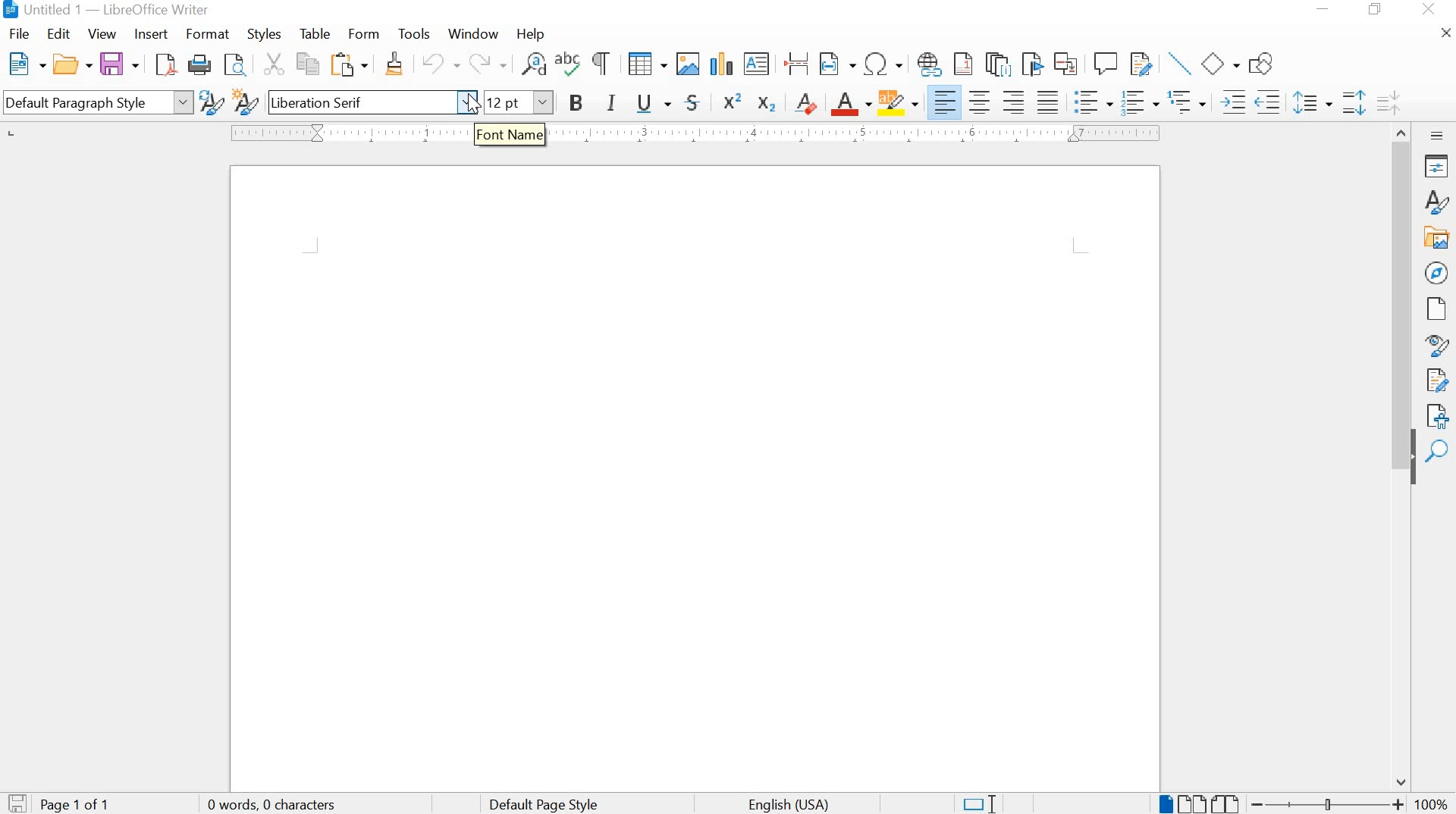  What do you see at coordinates (1326, 11) in the screenshot?
I see `MINIMIZE` at bounding box center [1326, 11].